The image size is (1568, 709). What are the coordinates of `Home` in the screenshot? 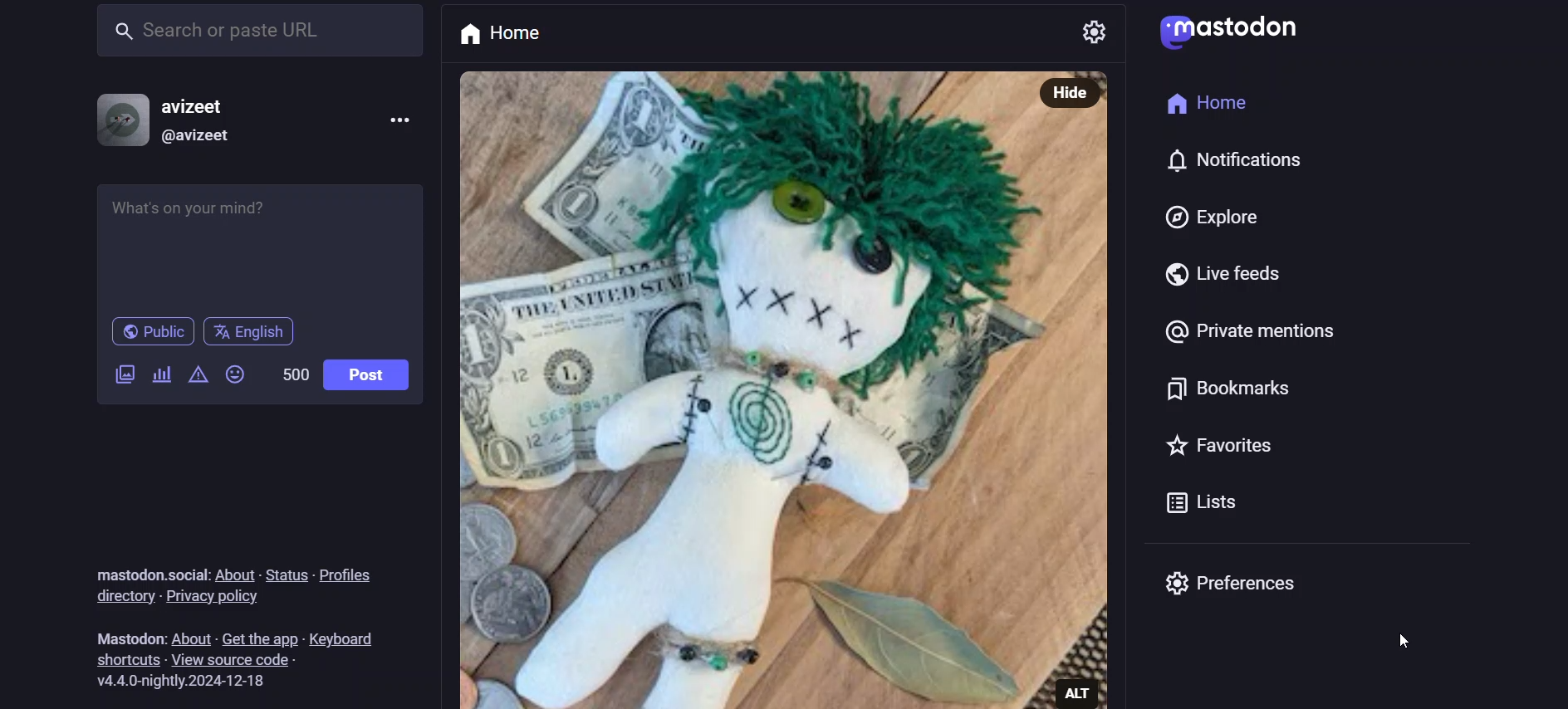 It's located at (505, 33).